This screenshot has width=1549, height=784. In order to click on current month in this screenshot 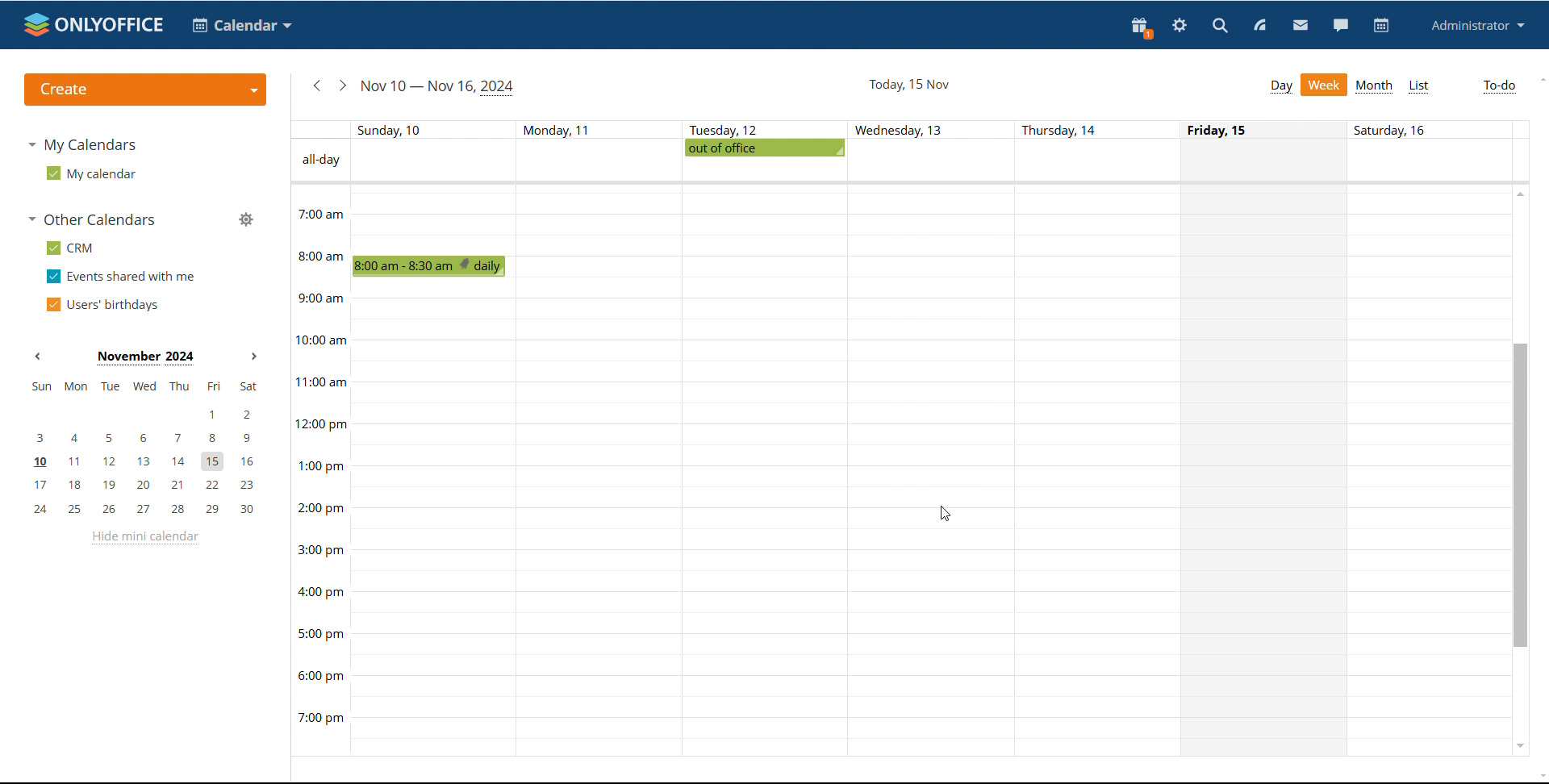, I will do `click(145, 358)`.